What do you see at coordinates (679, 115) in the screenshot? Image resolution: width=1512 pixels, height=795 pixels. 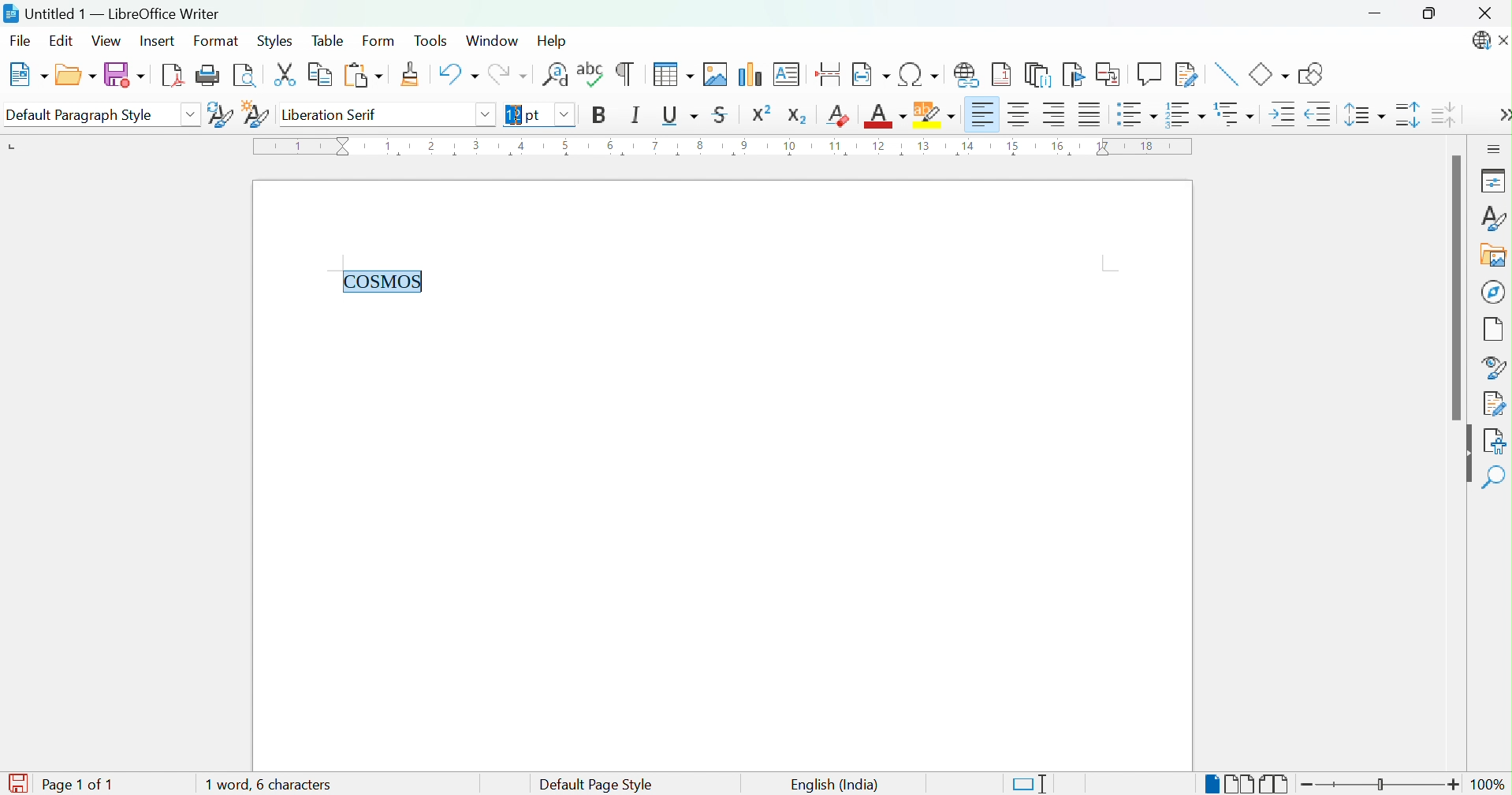 I see `Underline` at bounding box center [679, 115].